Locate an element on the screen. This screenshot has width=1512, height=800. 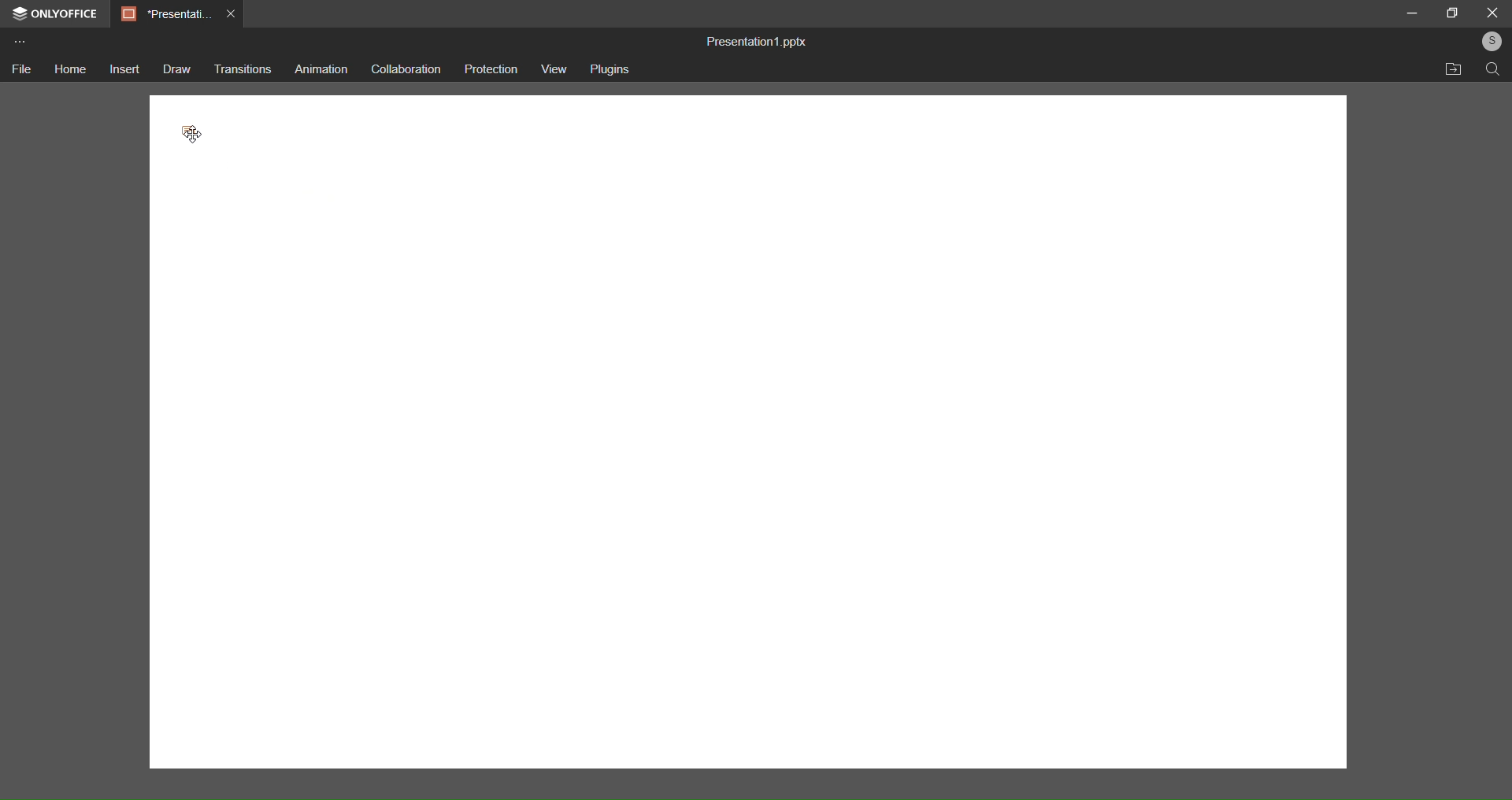
user is located at coordinates (1488, 43).